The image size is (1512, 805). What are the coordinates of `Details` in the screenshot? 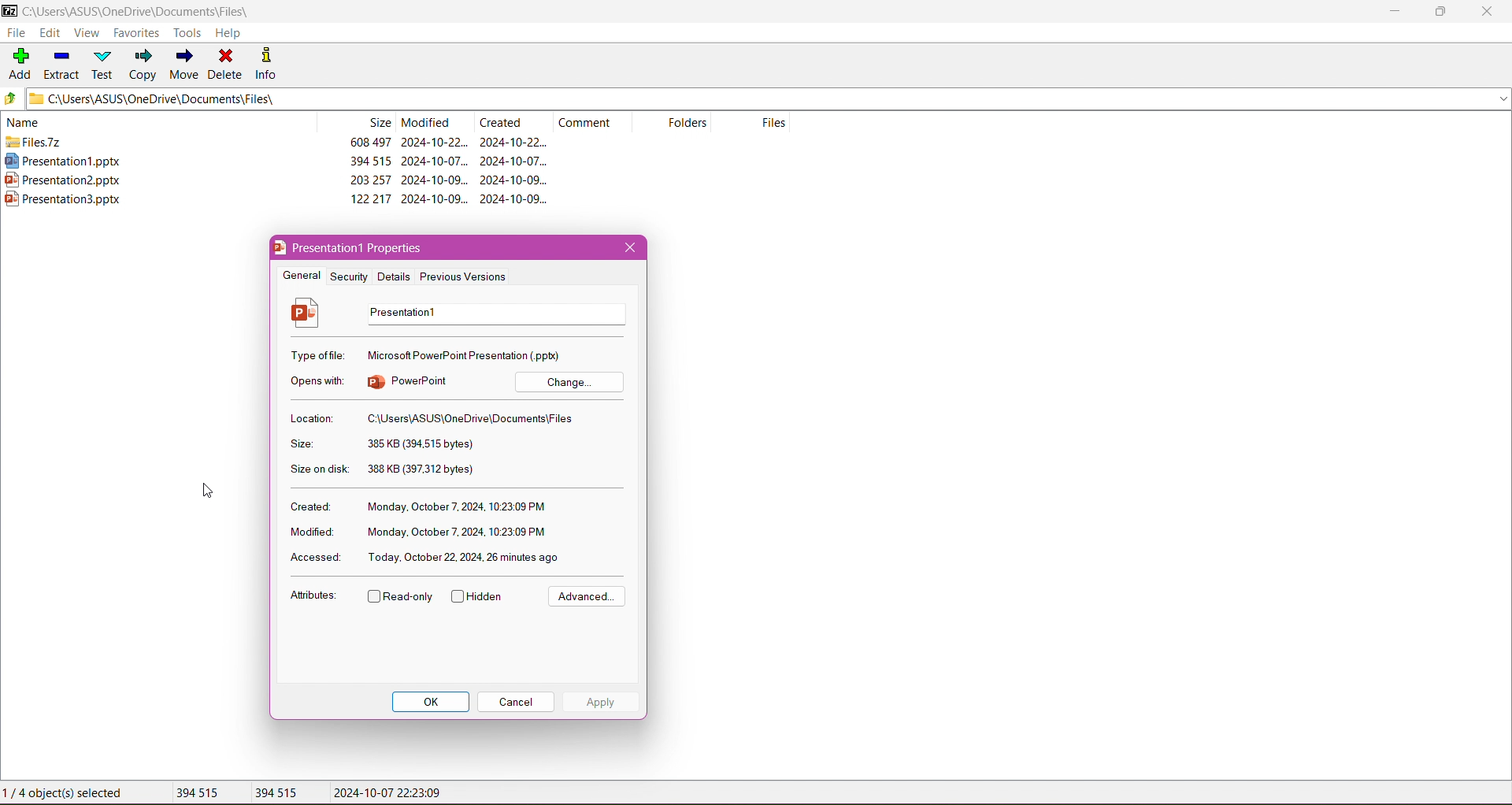 It's located at (394, 277).